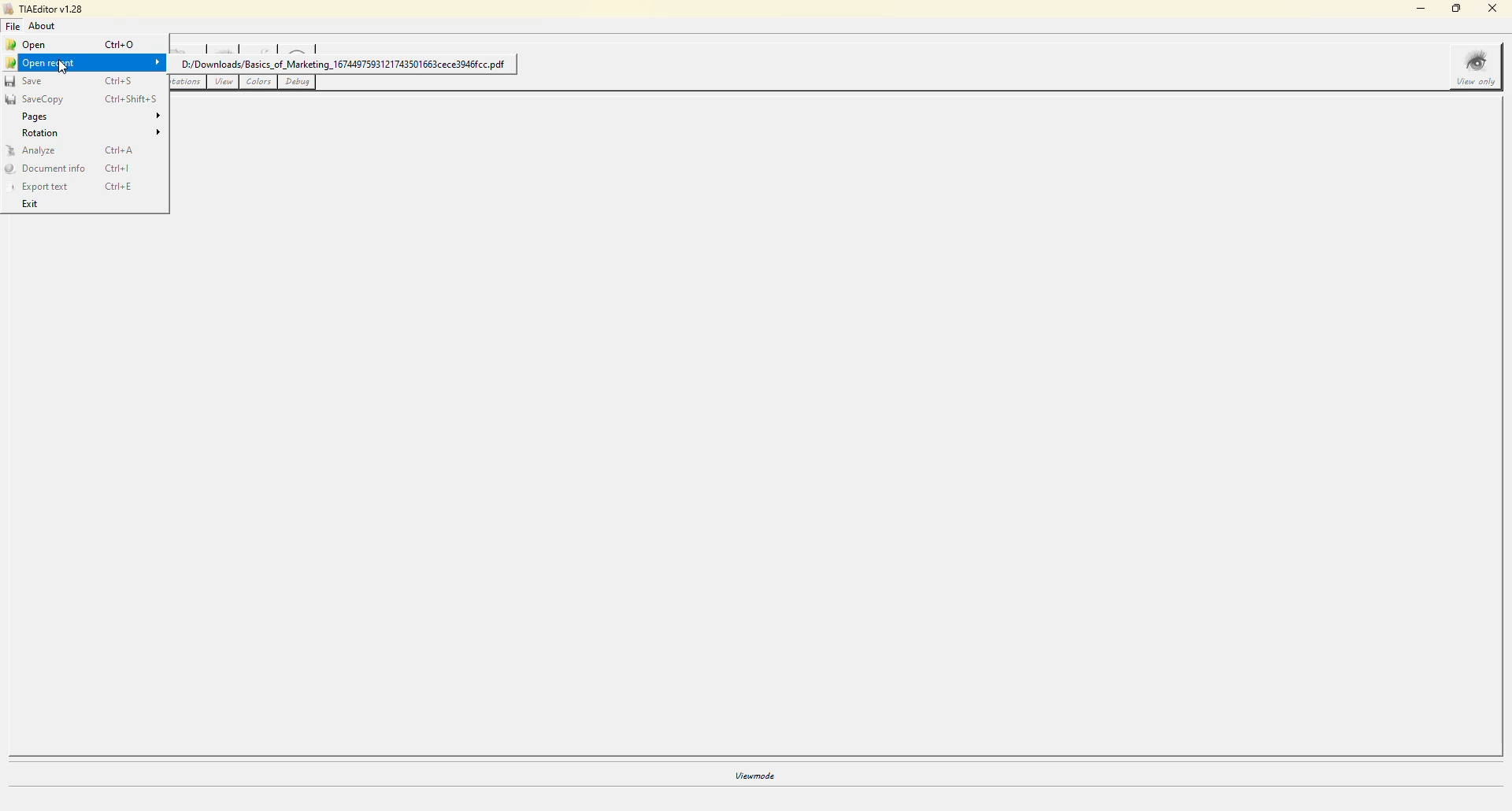  Describe the element at coordinates (752, 780) in the screenshot. I see `viewmode` at that location.